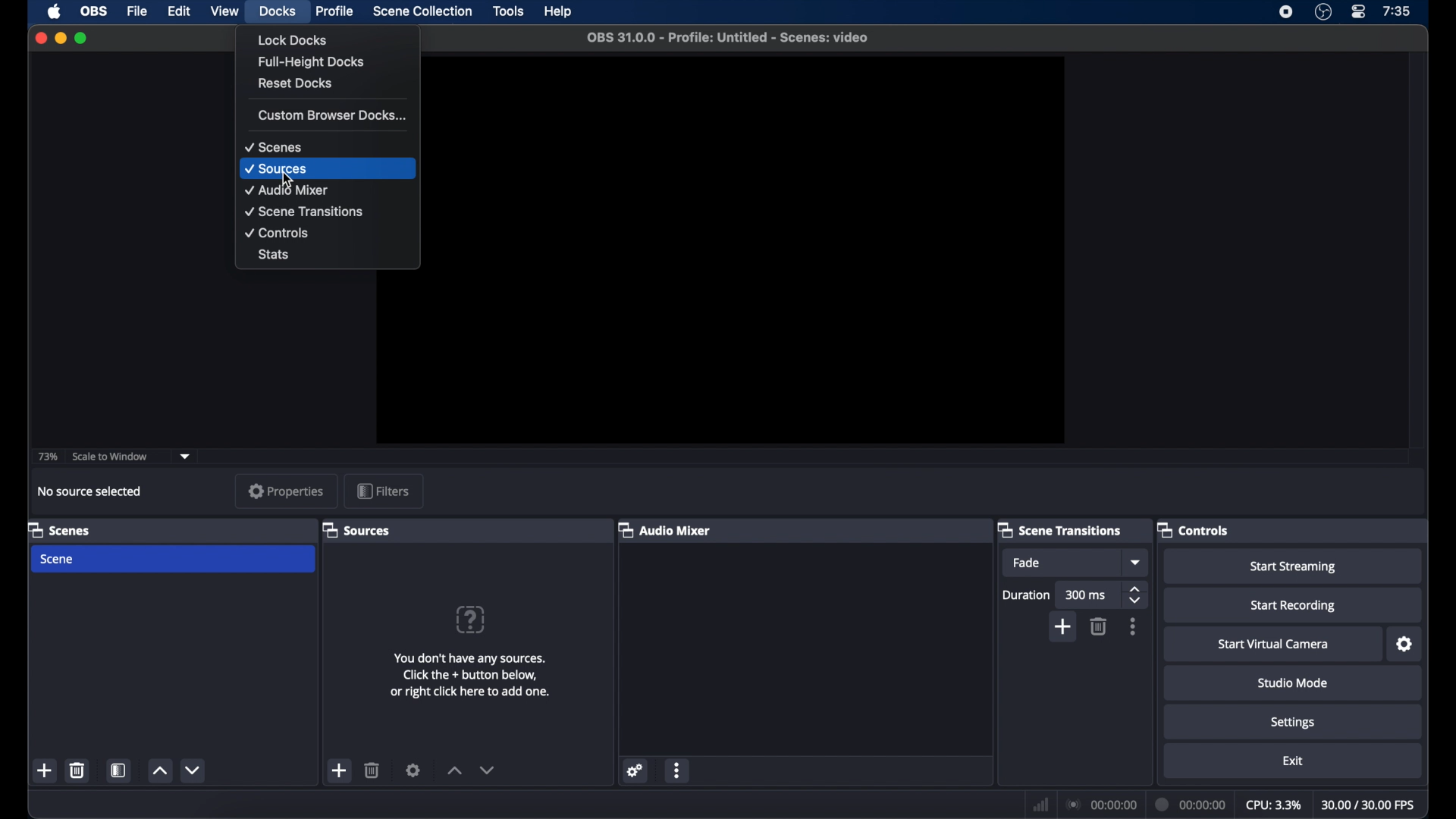  What do you see at coordinates (186, 457) in the screenshot?
I see `dropdown` at bounding box center [186, 457].